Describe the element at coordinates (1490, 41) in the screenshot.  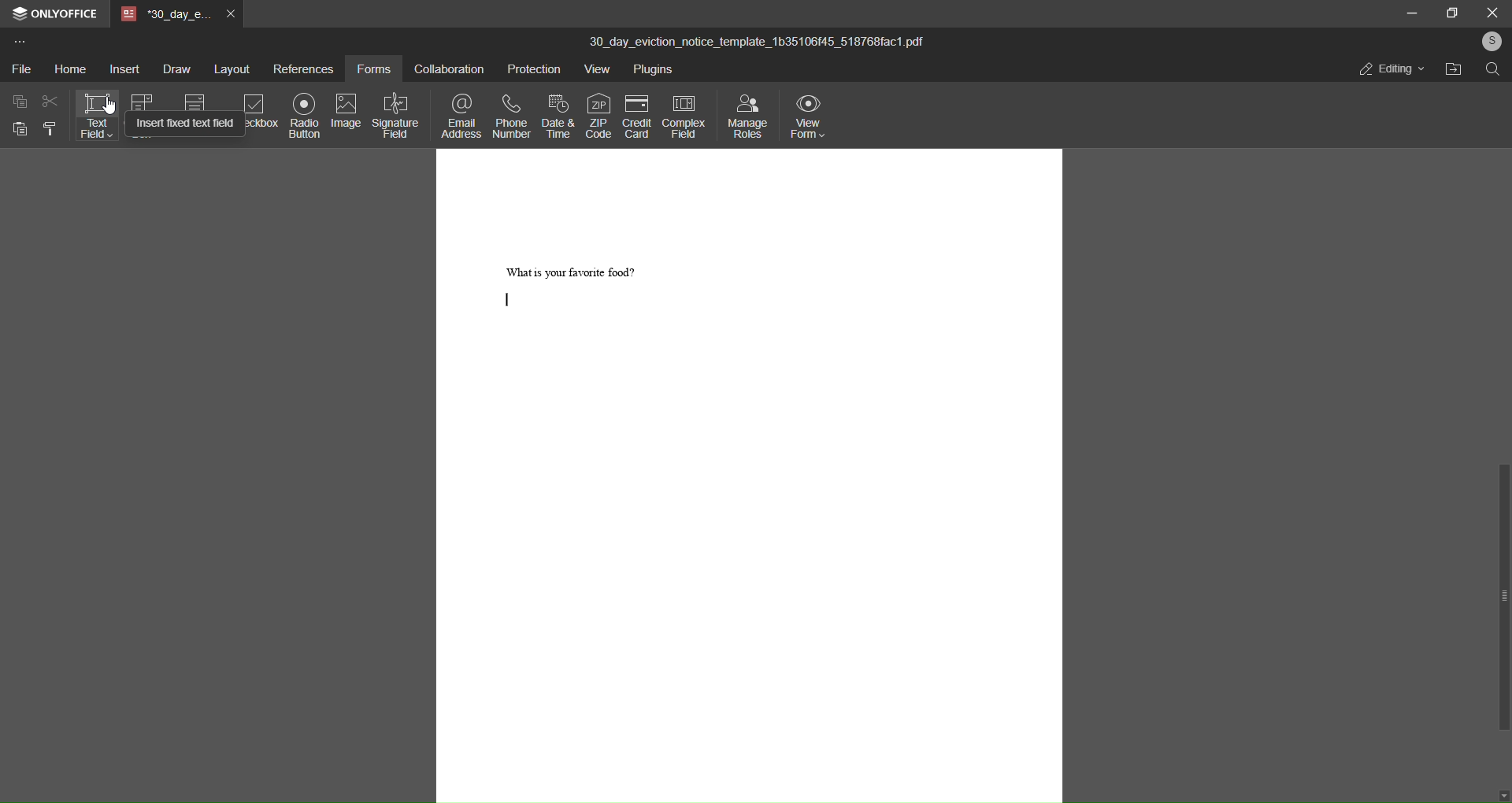
I see `user` at that location.